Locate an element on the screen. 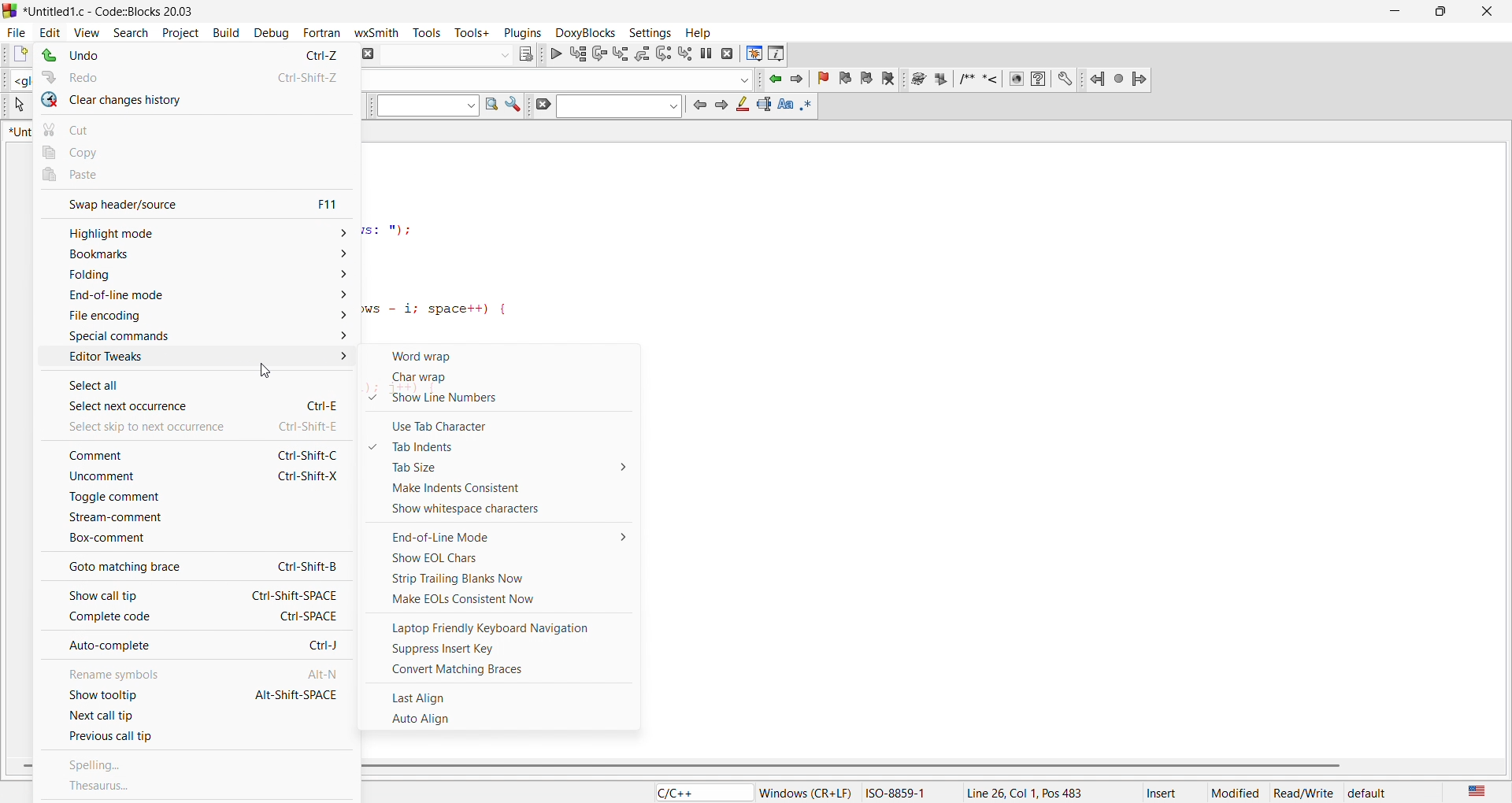  default is located at coordinates (1386, 790).